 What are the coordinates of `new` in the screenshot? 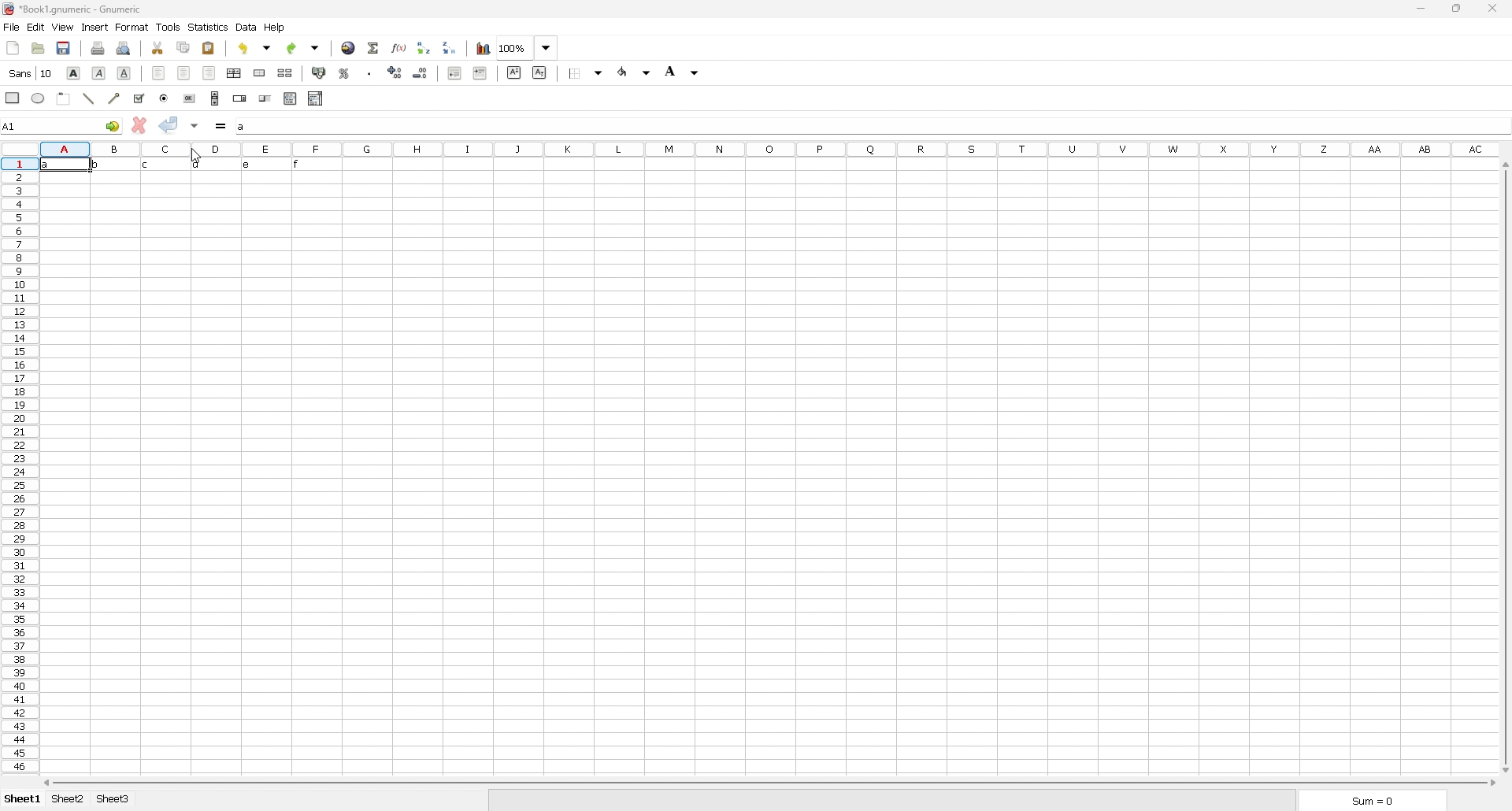 It's located at (13, 47).